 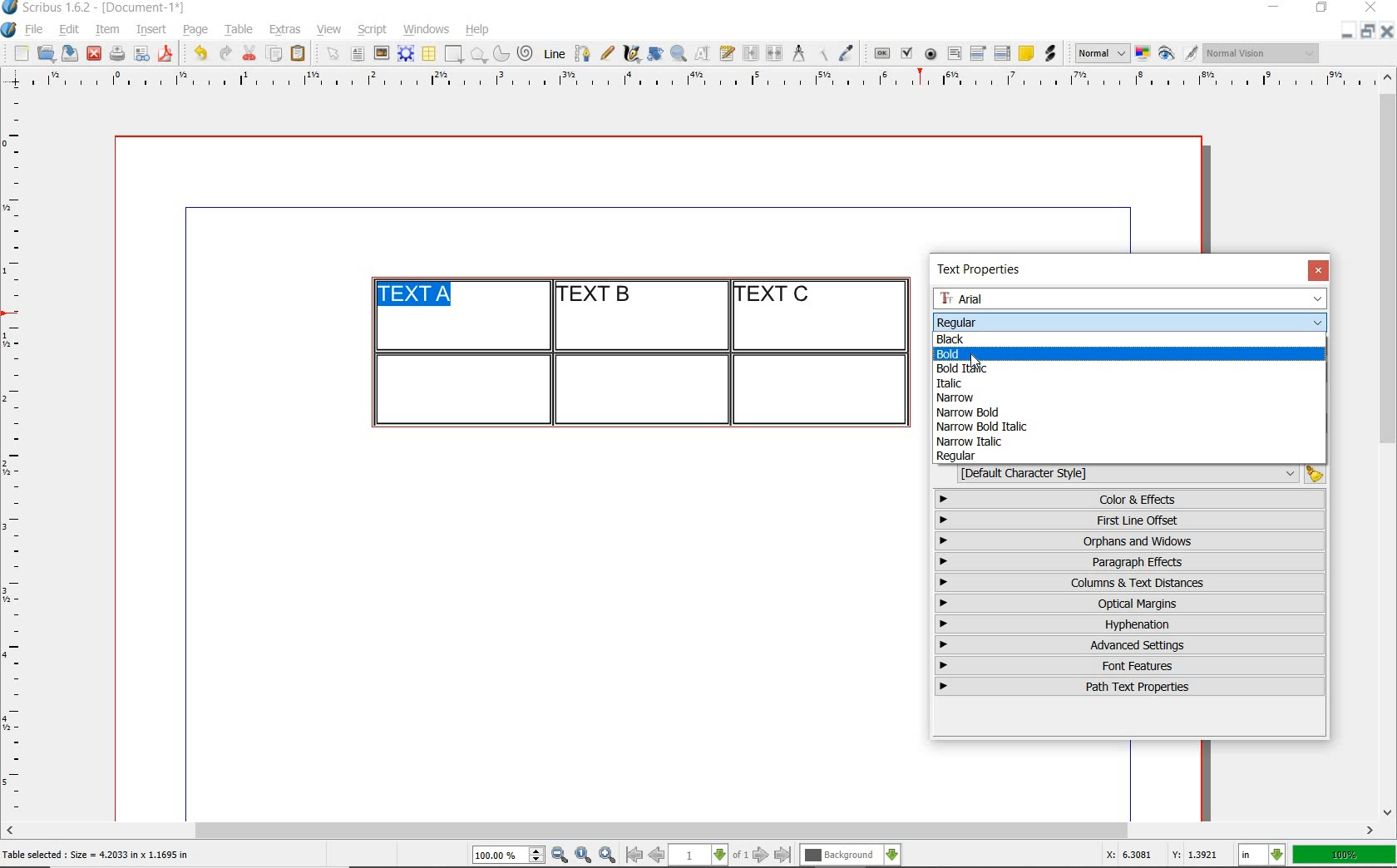 What do you see at coordinates (1262, 856) in the screenshot?
I see `select the current unit` at bounding box center [1262, 856].